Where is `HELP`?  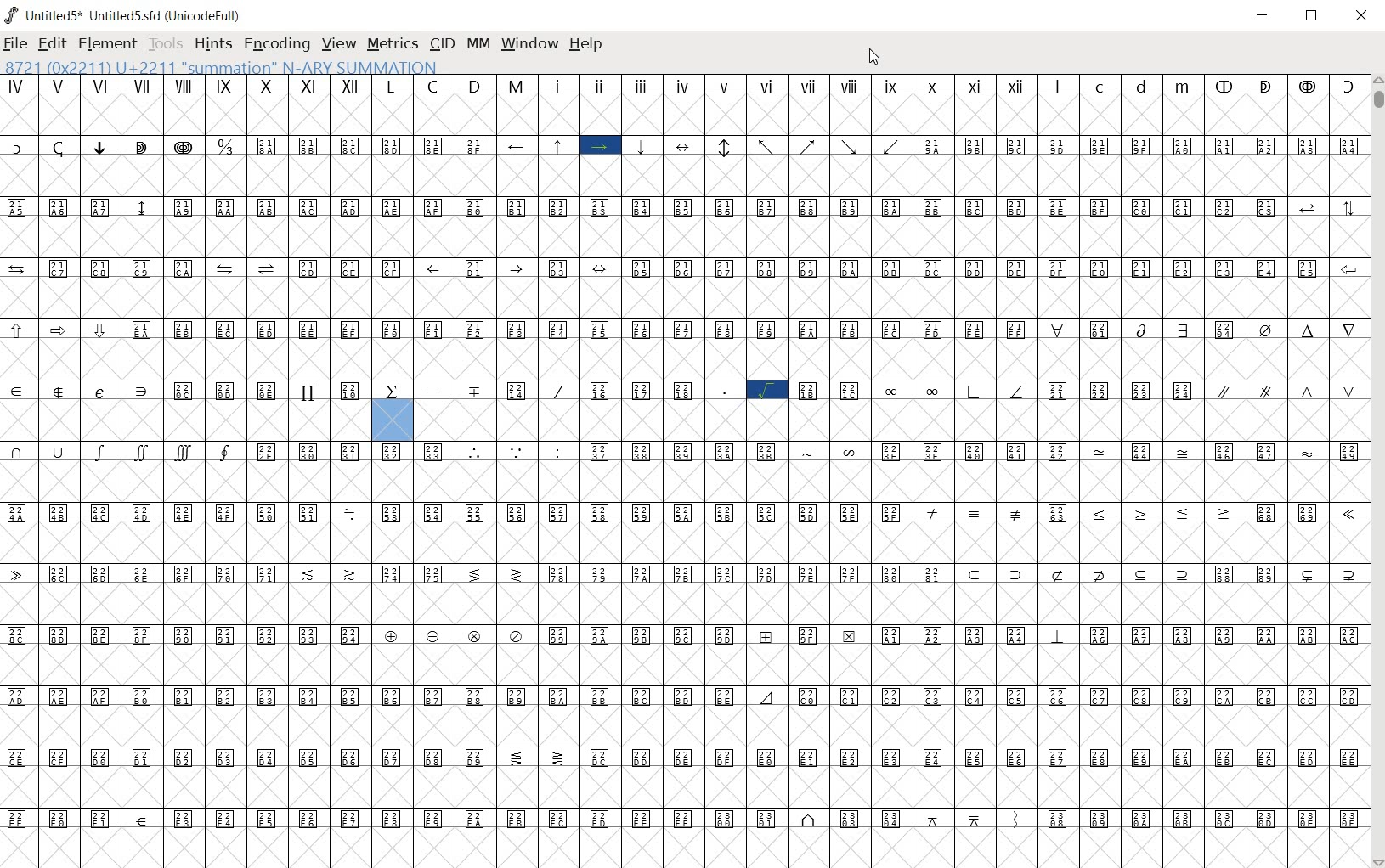 HELP is located at coordinates (589, 46).